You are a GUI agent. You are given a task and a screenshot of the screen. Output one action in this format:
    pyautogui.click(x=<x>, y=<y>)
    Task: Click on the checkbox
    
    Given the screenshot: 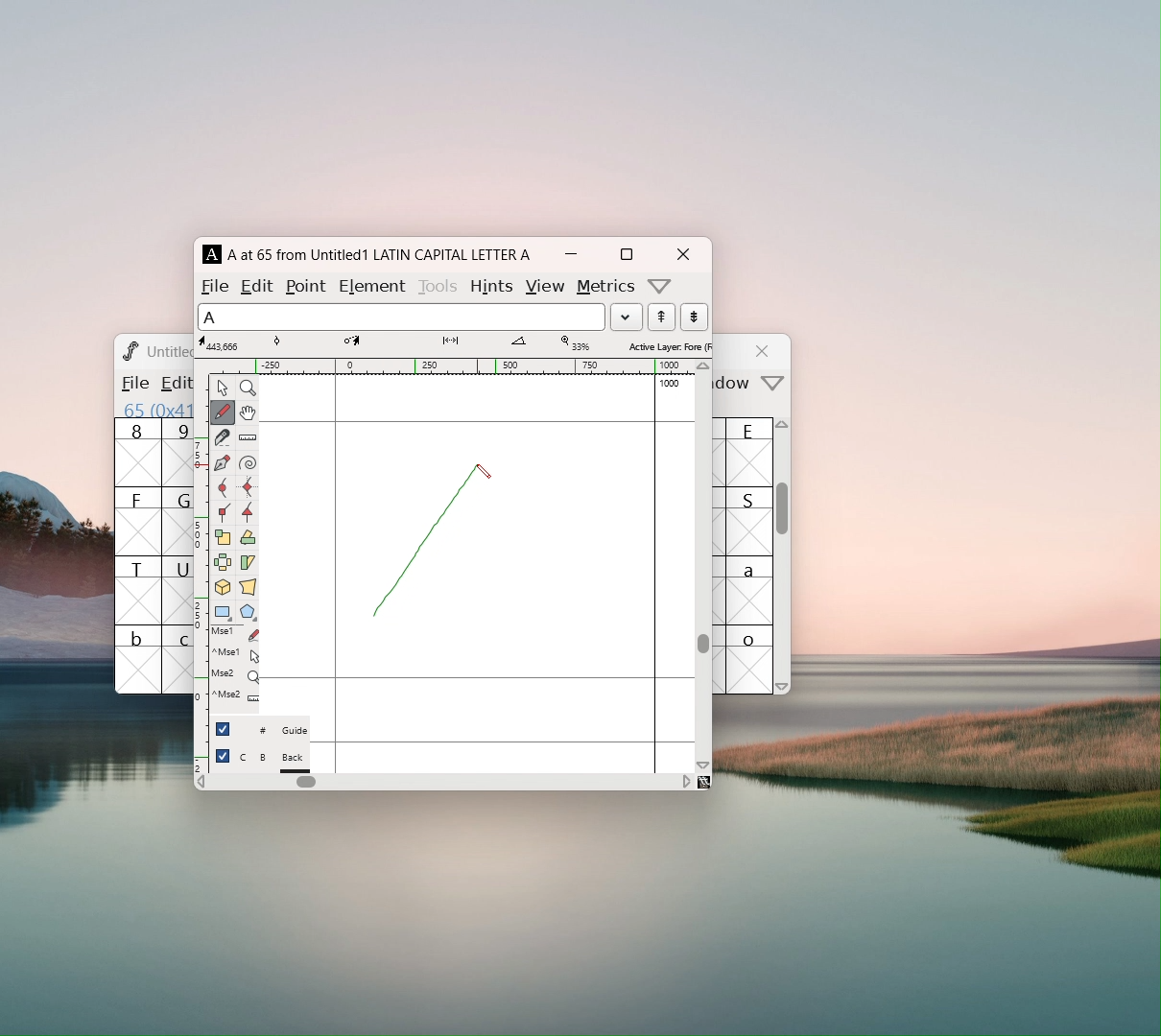 What is the action you would take?
    pyautogui.click(x=223, y=728)
    